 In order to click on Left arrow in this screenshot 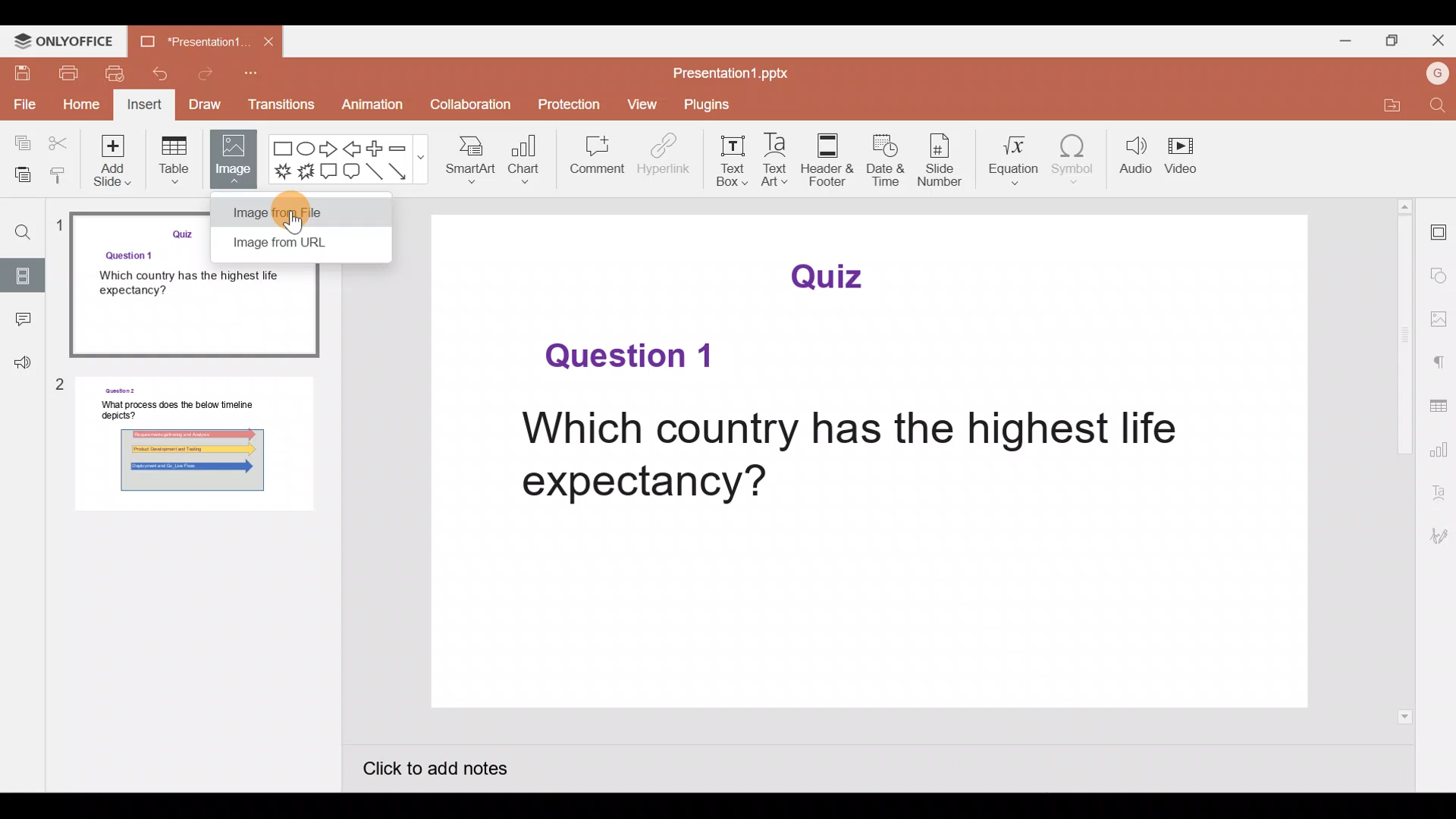, I will do `click(356, 149)`.